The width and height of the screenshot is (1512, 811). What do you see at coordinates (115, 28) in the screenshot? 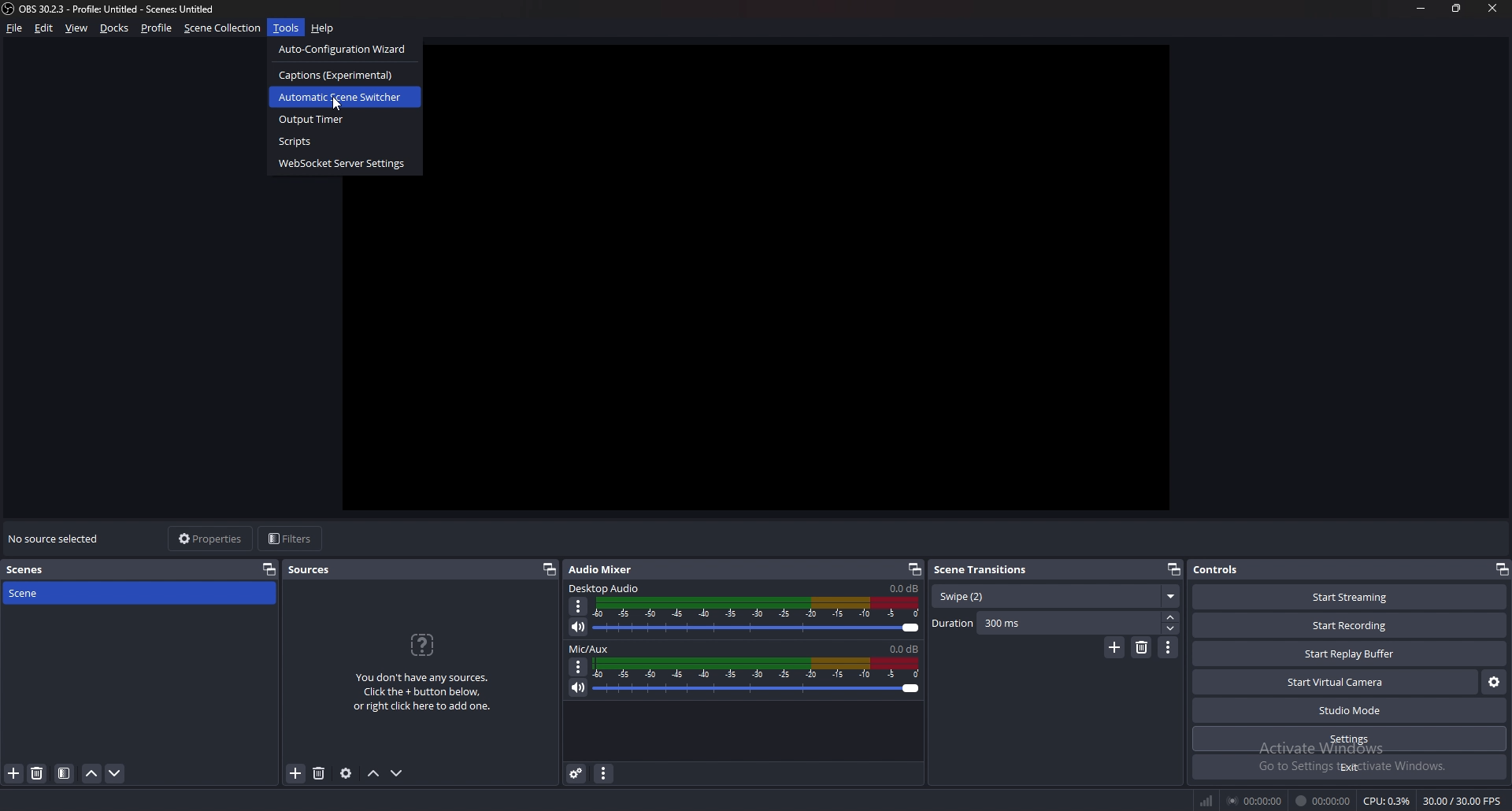
I see `docks` at bounding box center [115, 28].